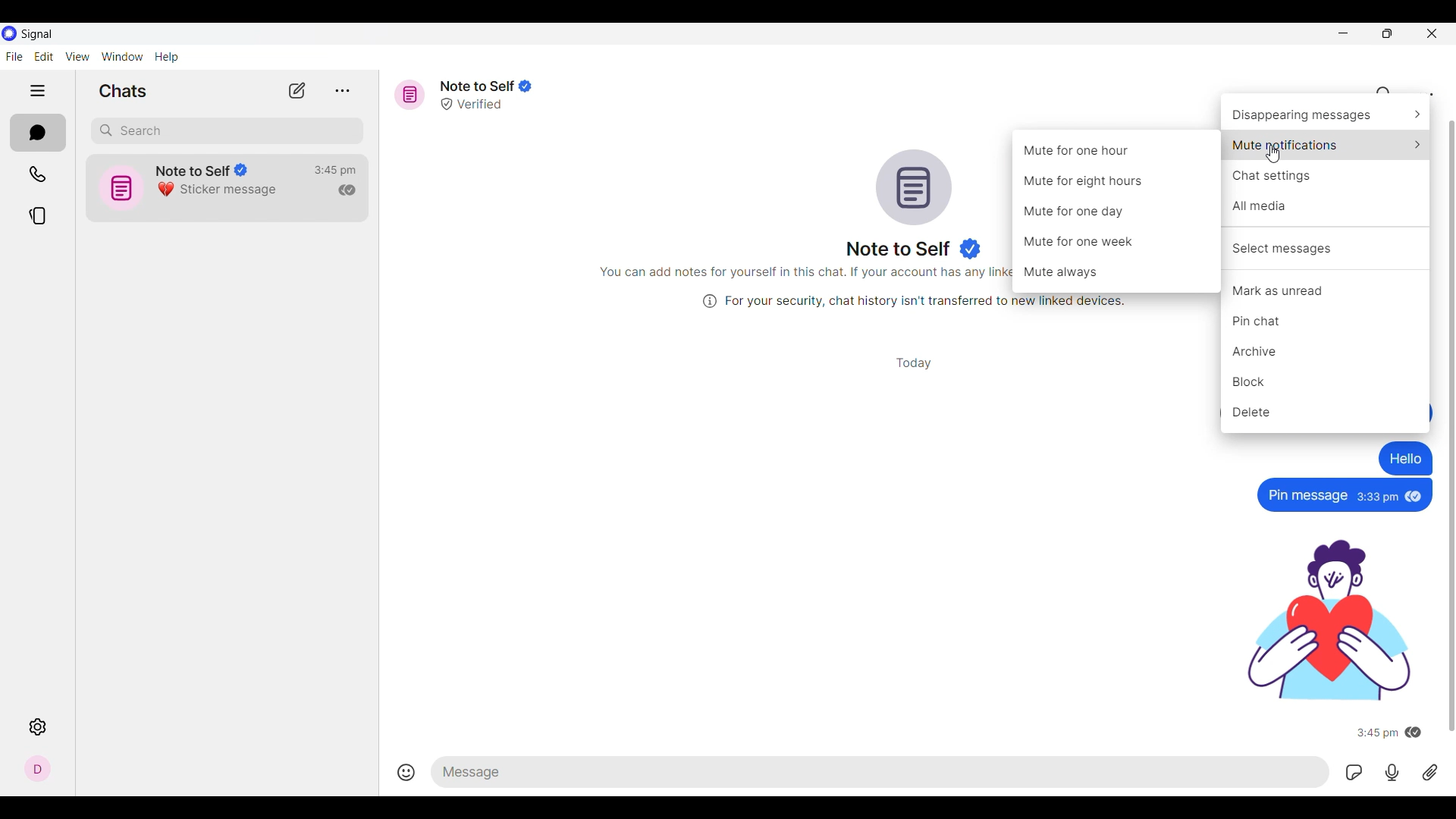 This screenshot has width=1456, height=819. I want to click on All media, so click(1326, 206).